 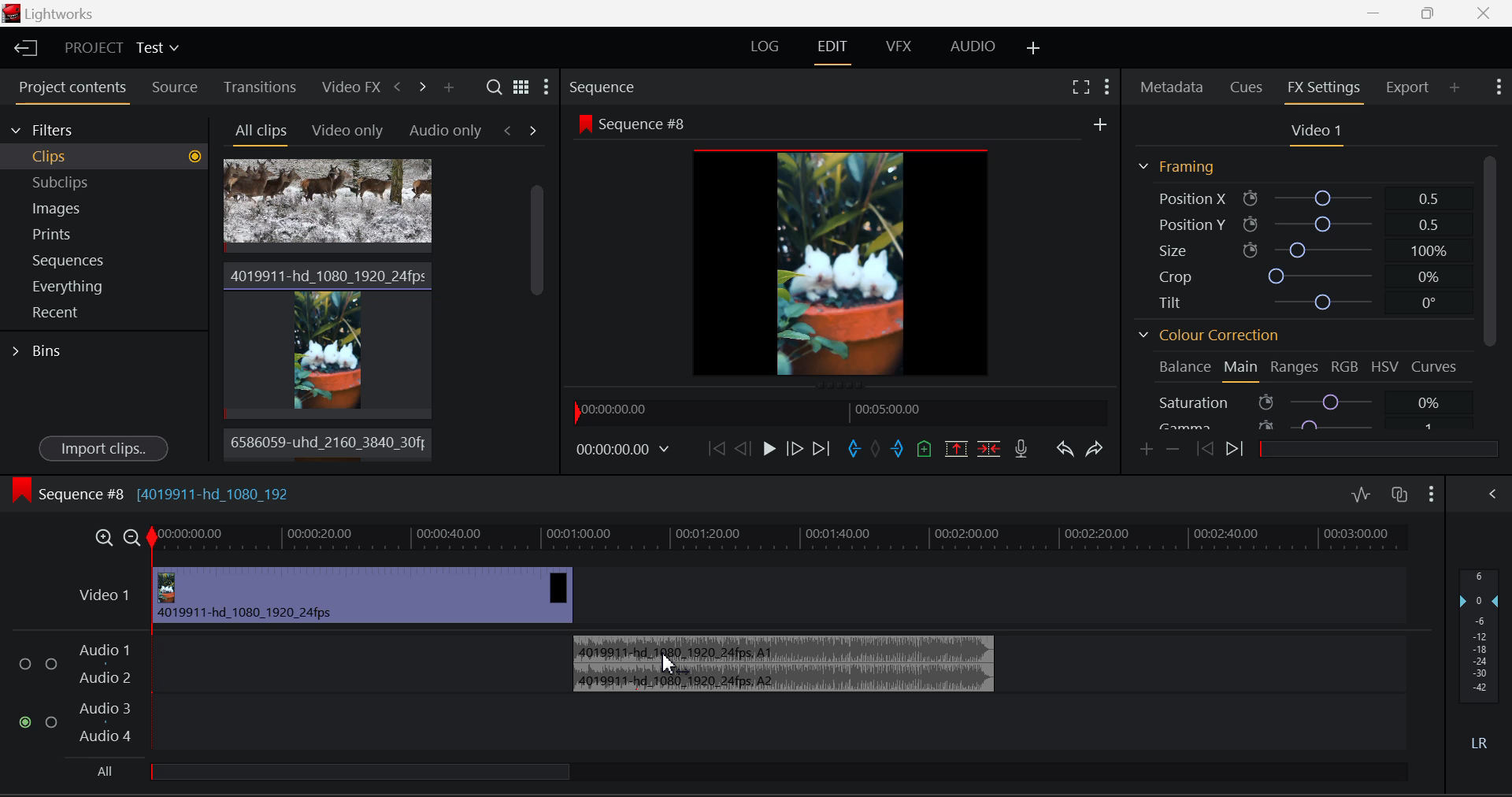 What do you see at coordinates (1306, 301) in the screenshot?
I see `Tilt` at bounding box center [1306, 301].